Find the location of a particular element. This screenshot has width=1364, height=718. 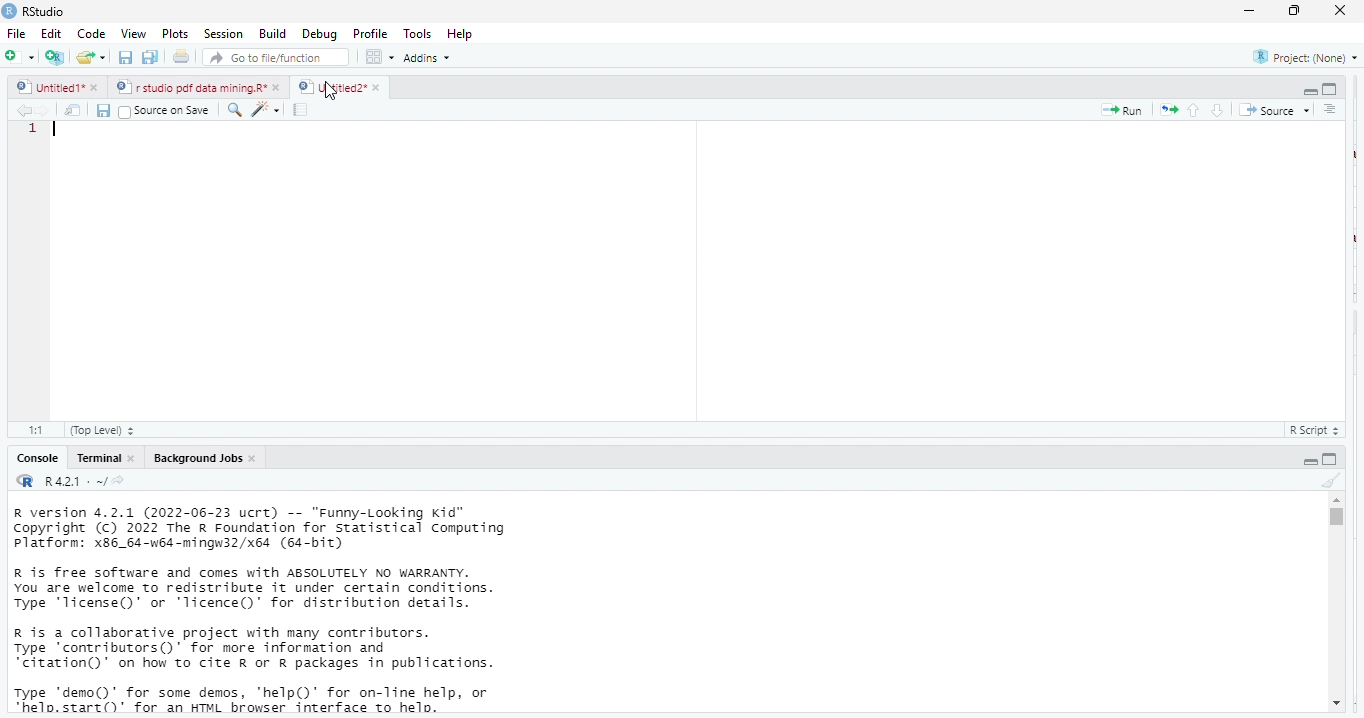

rs studio is located at coordinates (26, 482).